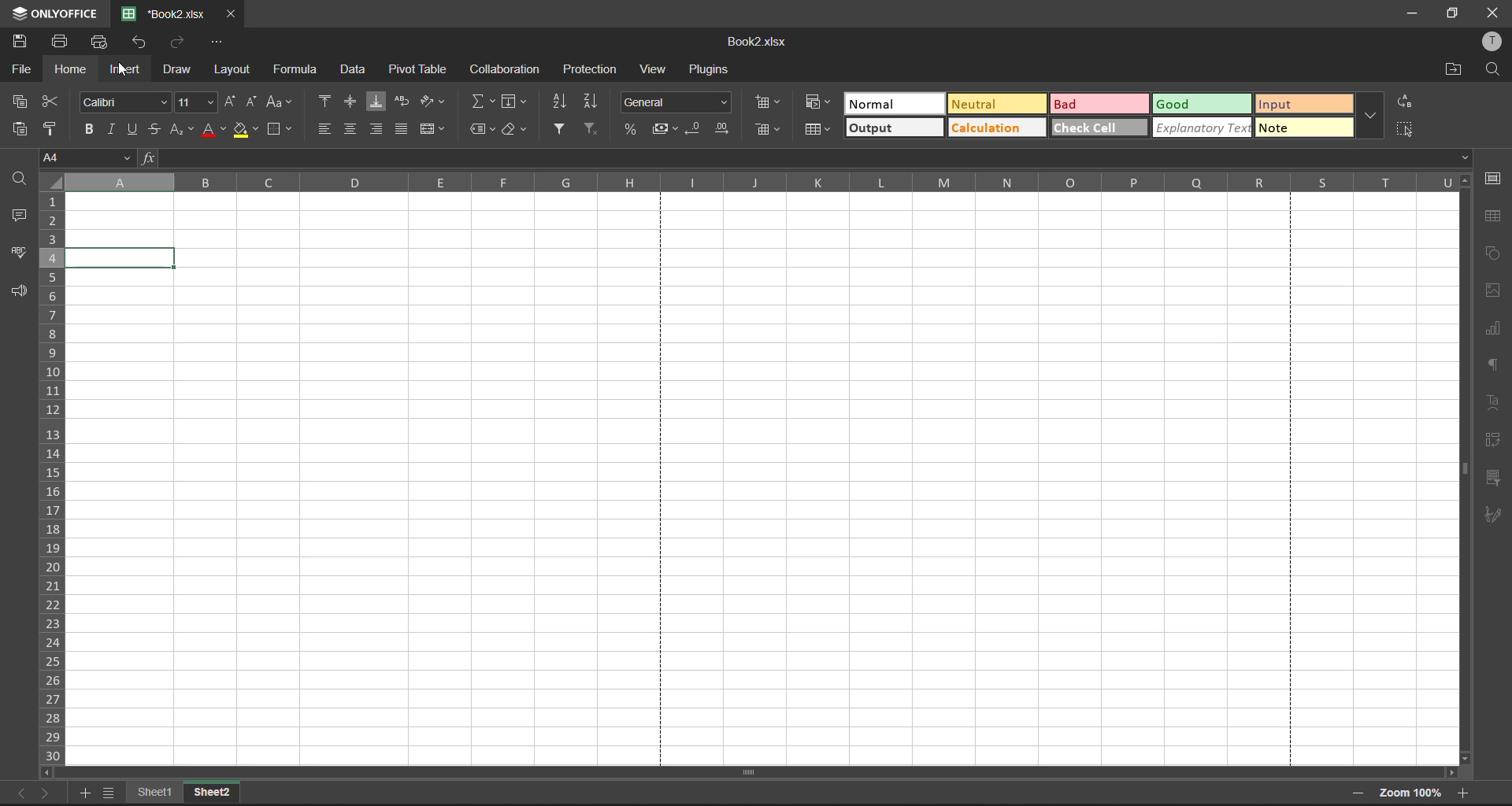  Describe the element at coordinates (213, 43) in the screenshot. I see `customize quick access toolbar` at that location.